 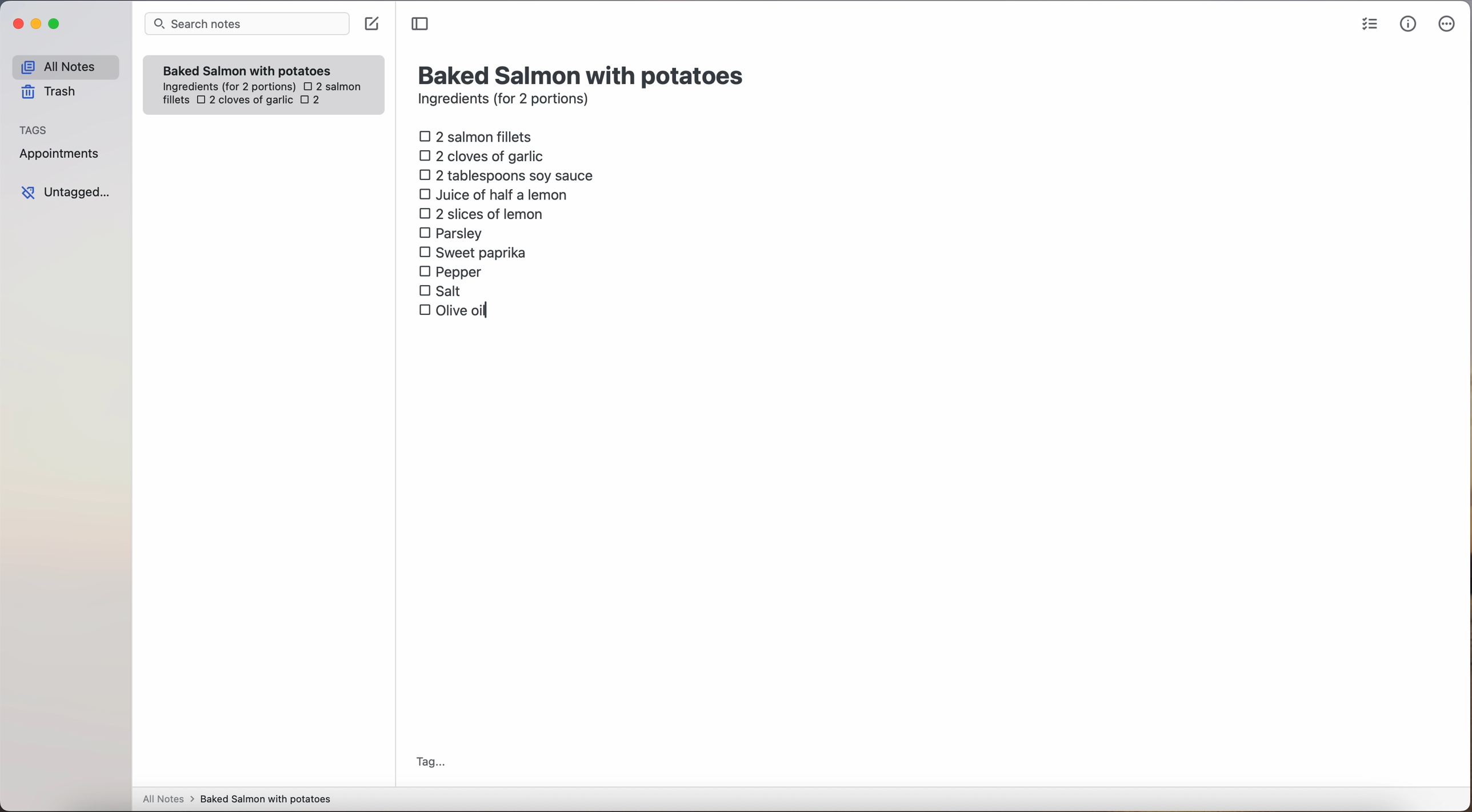 I want to click on pepper, so click(x=453, y=271).